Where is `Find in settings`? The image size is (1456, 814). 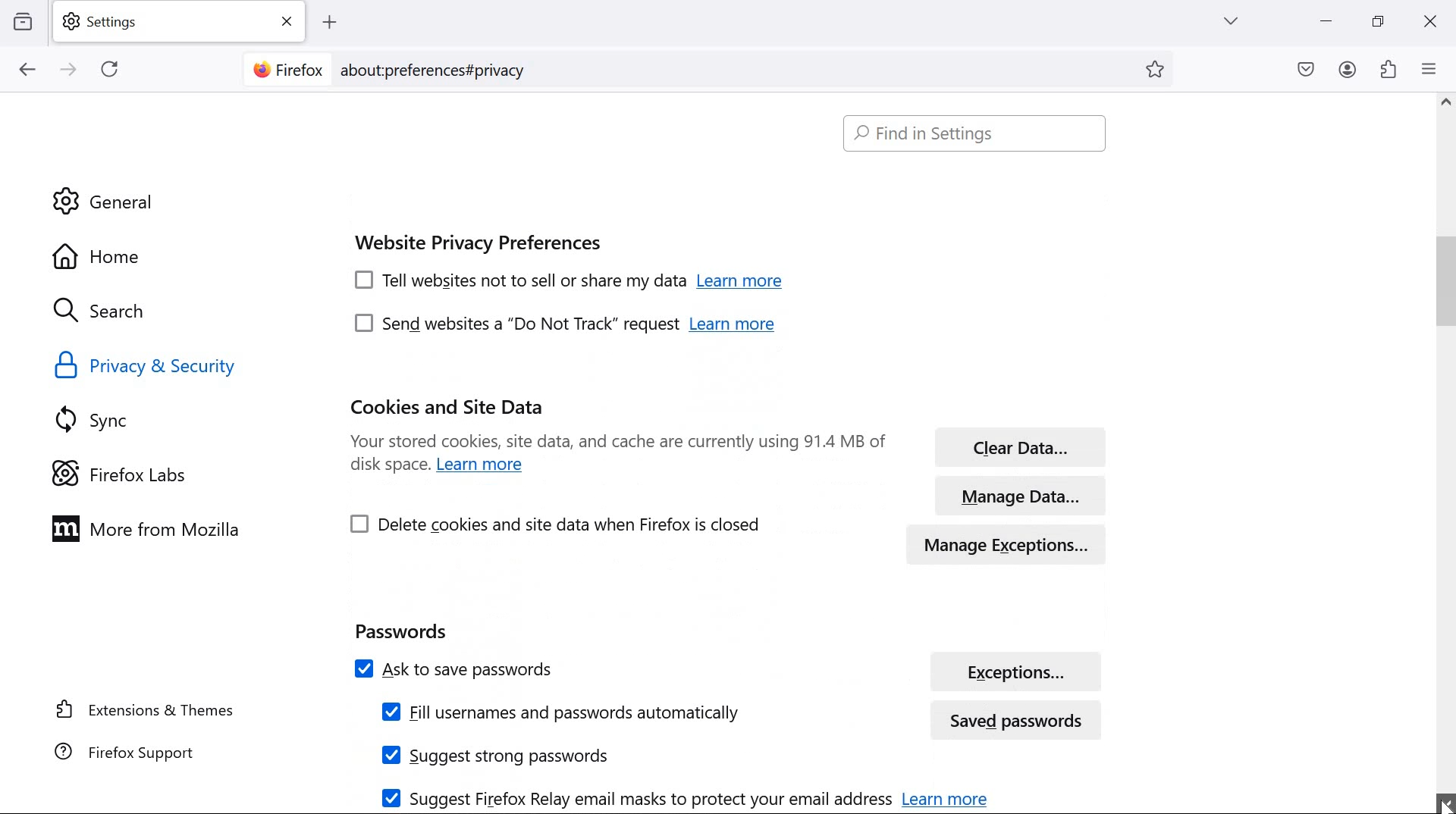
Find in settings is located at coordinates (978, 133).